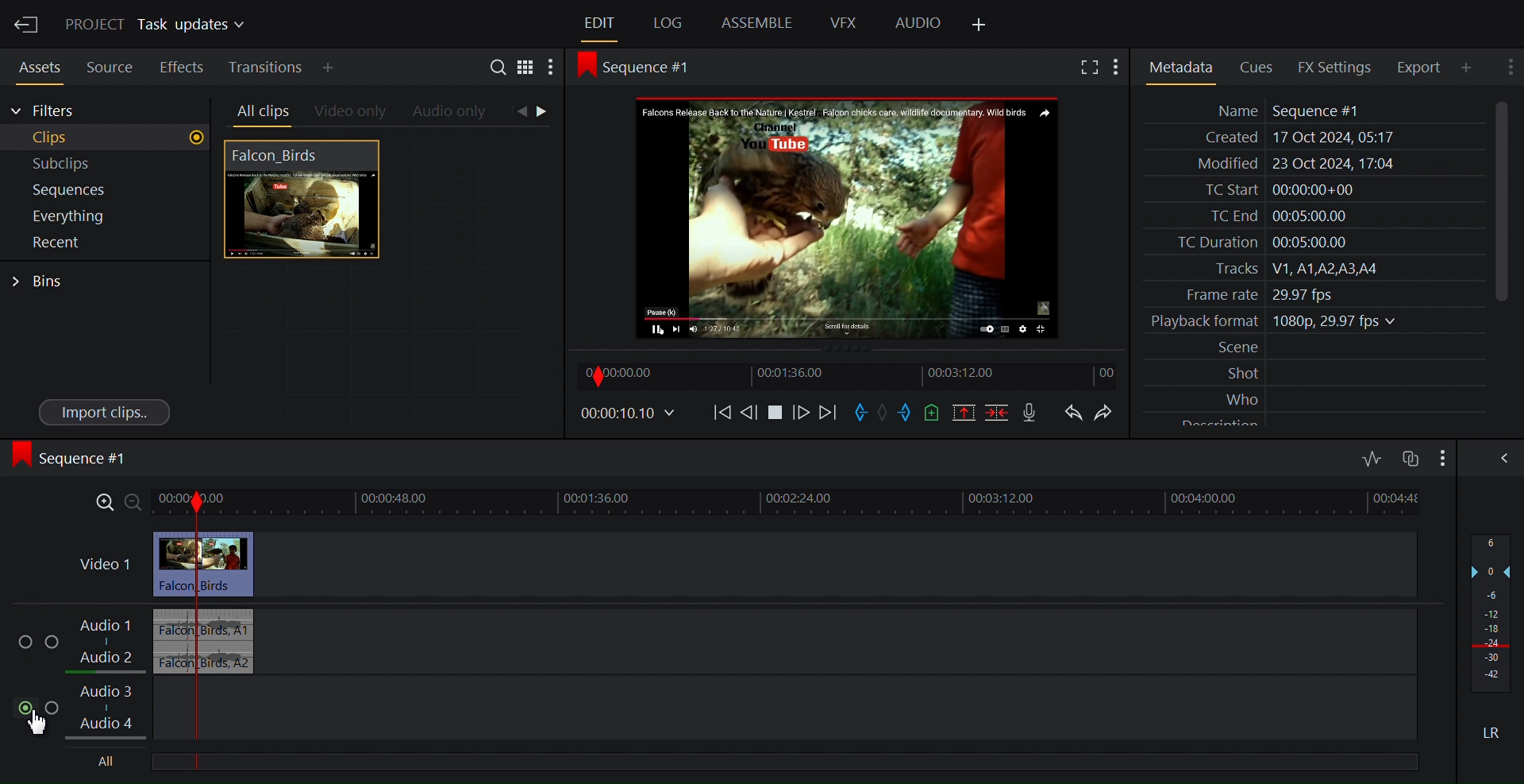  Describe the element at coordinates (1313, 214) in the screenshot. I see `TC End` at that location.